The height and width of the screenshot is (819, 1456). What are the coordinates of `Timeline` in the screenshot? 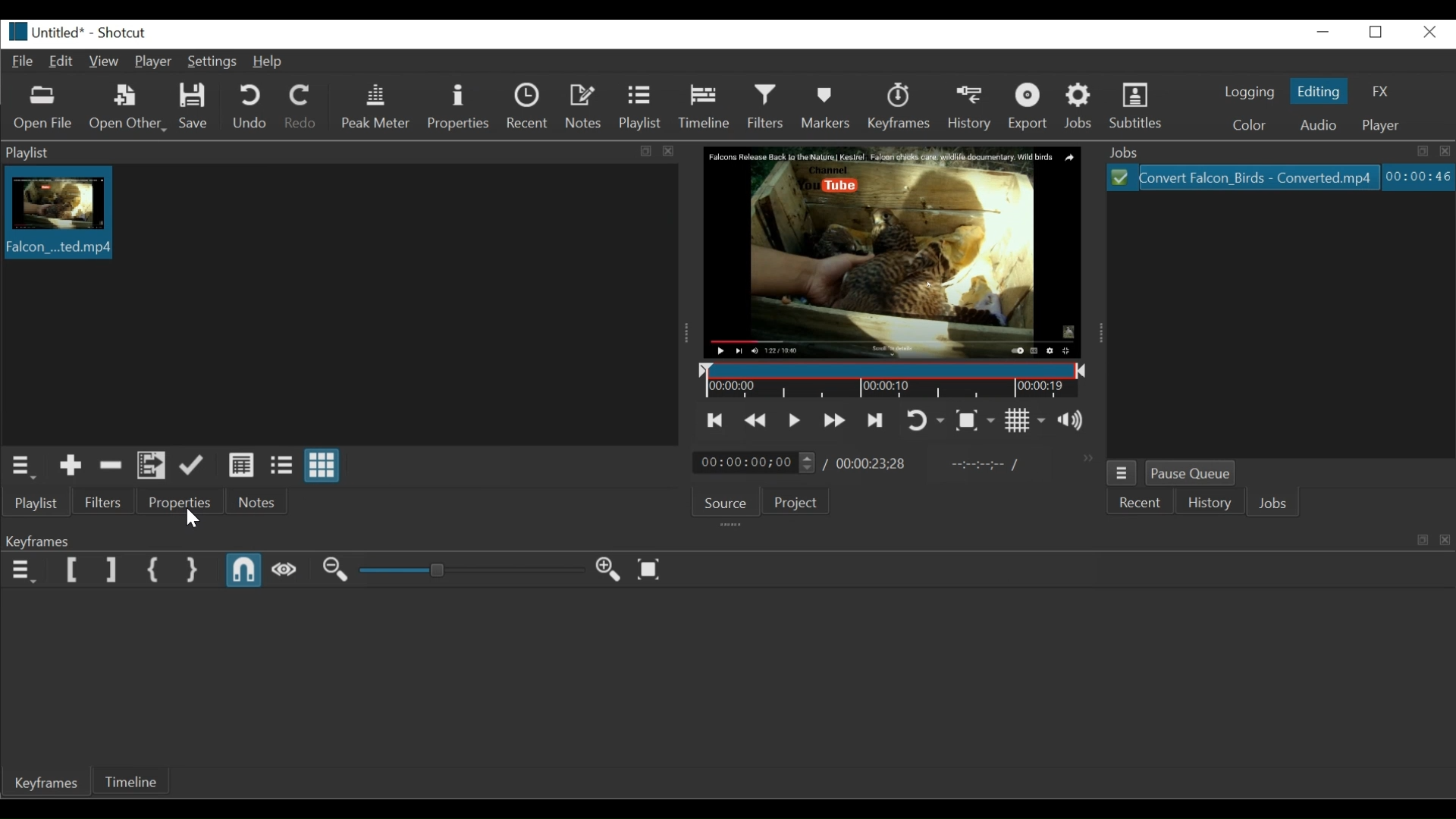 It's located at (890, 380).